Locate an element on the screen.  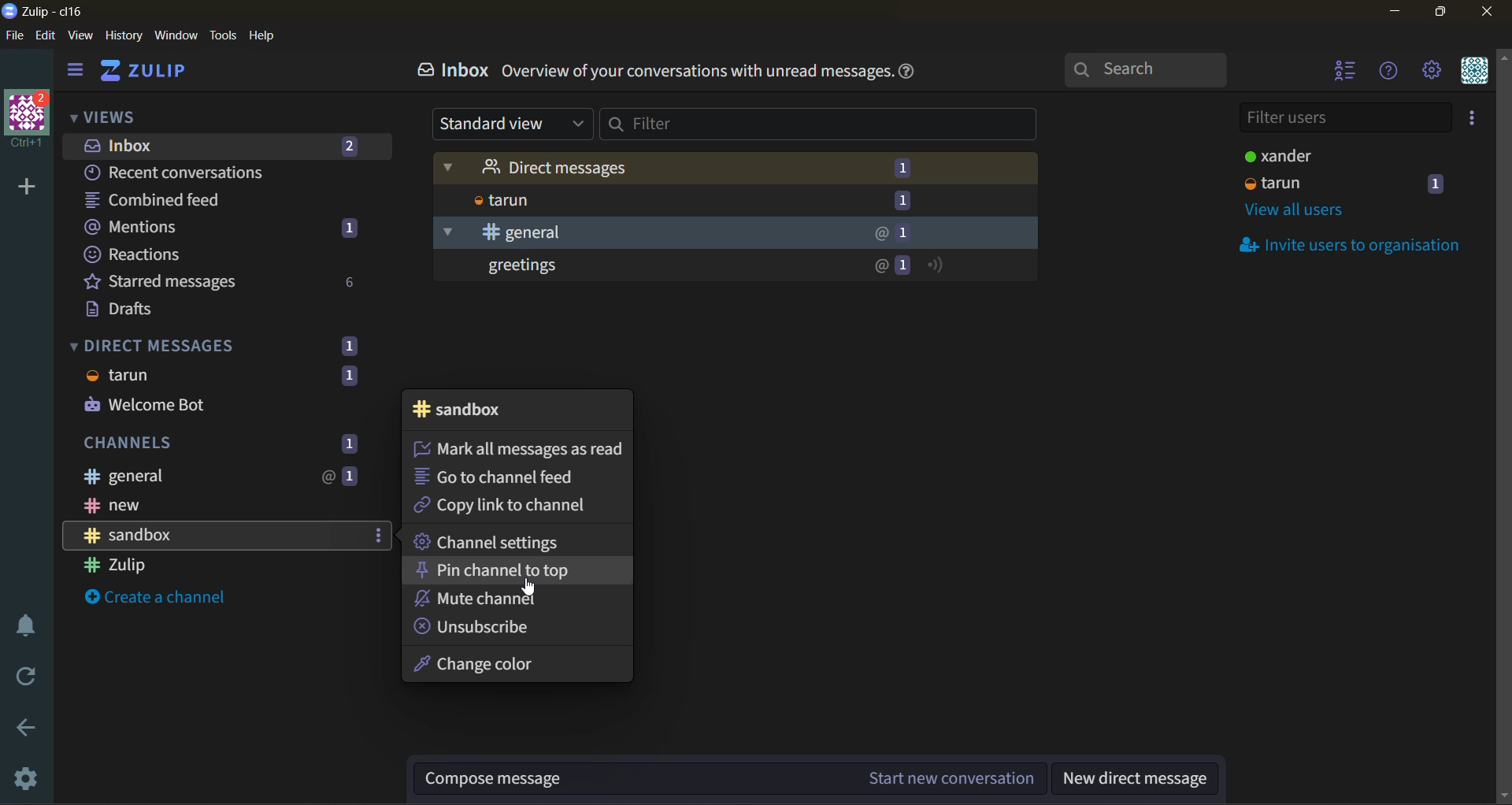
compose message is located at coordinates (735, 777).